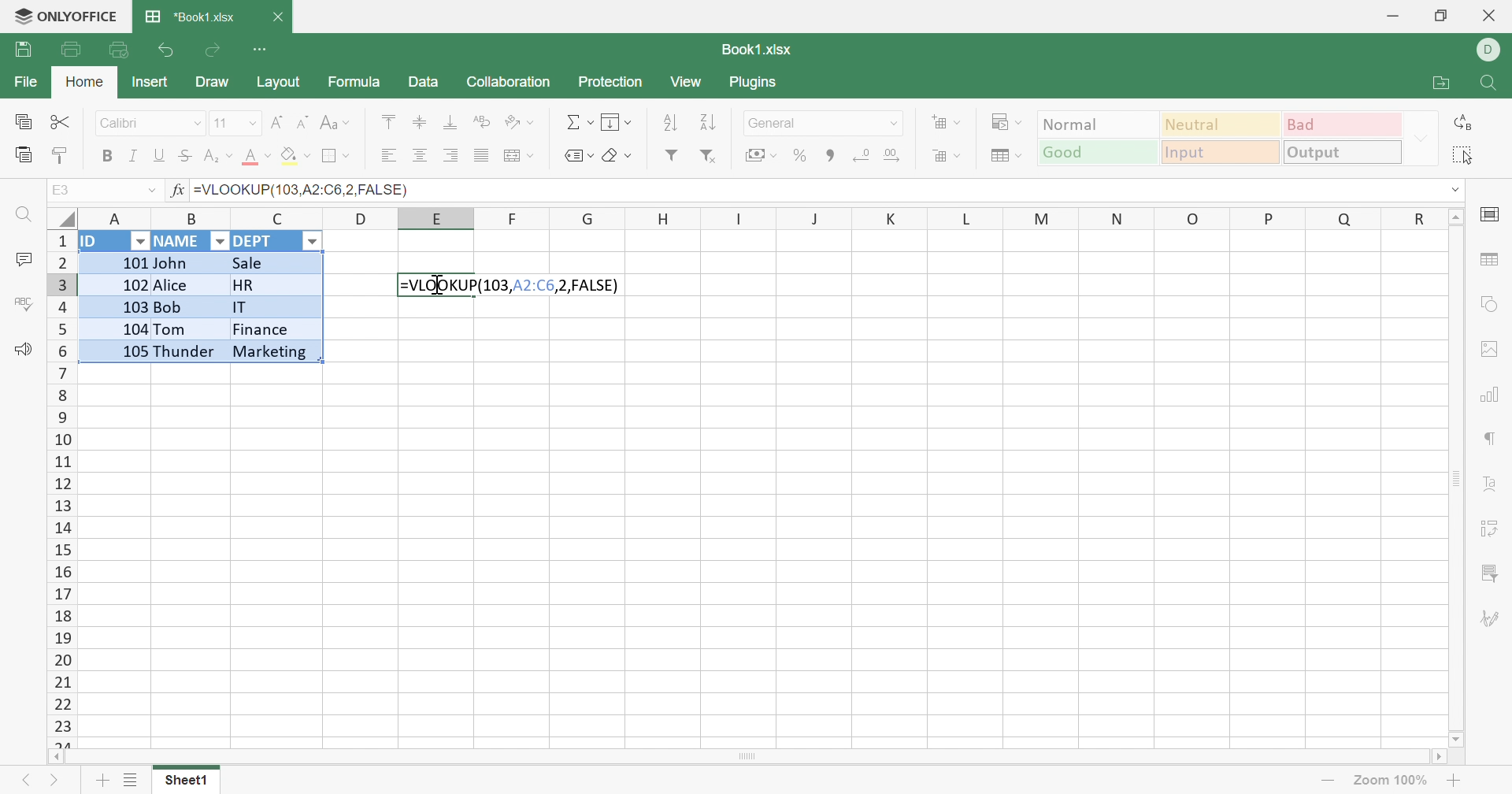 The height and width of the screenshot is (794, 1512). What do you see at coordinates (94, 242) in the screenshot?
I see `ID` at bounding box center [94, 242].